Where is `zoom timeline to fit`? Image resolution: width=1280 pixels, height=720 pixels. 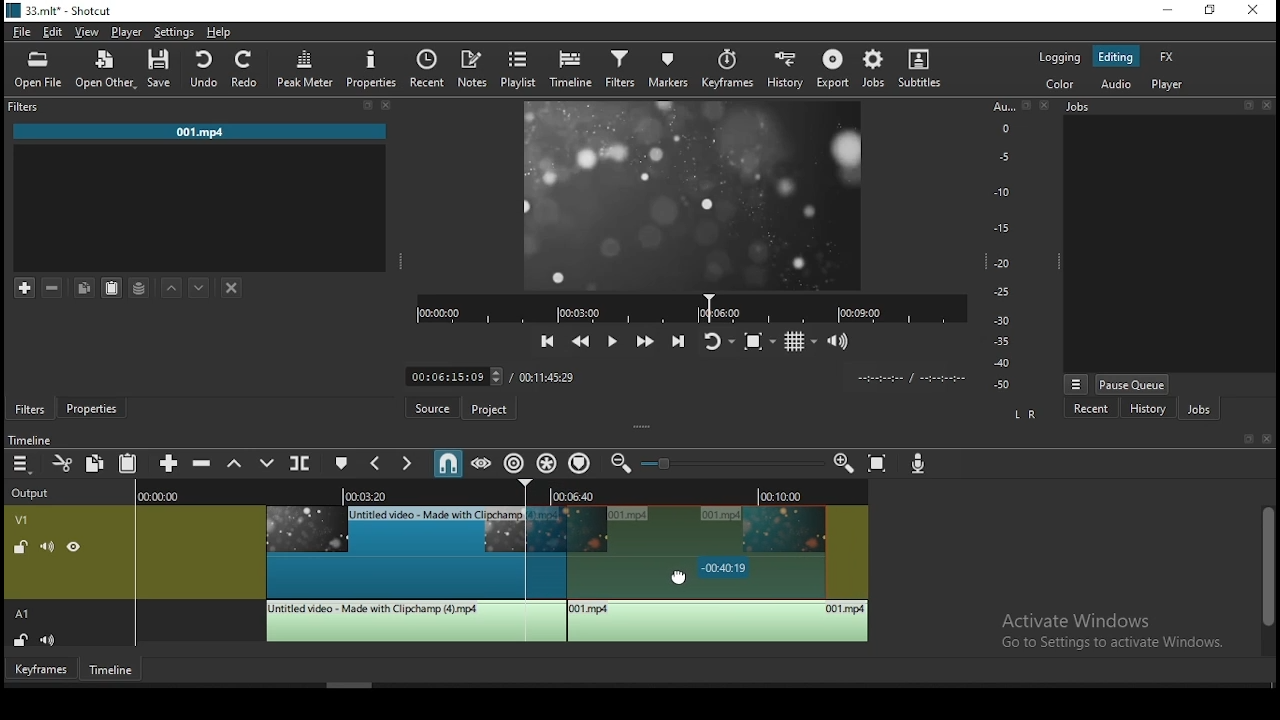
zoom timeline to fit is located at coordinates (884, 464).